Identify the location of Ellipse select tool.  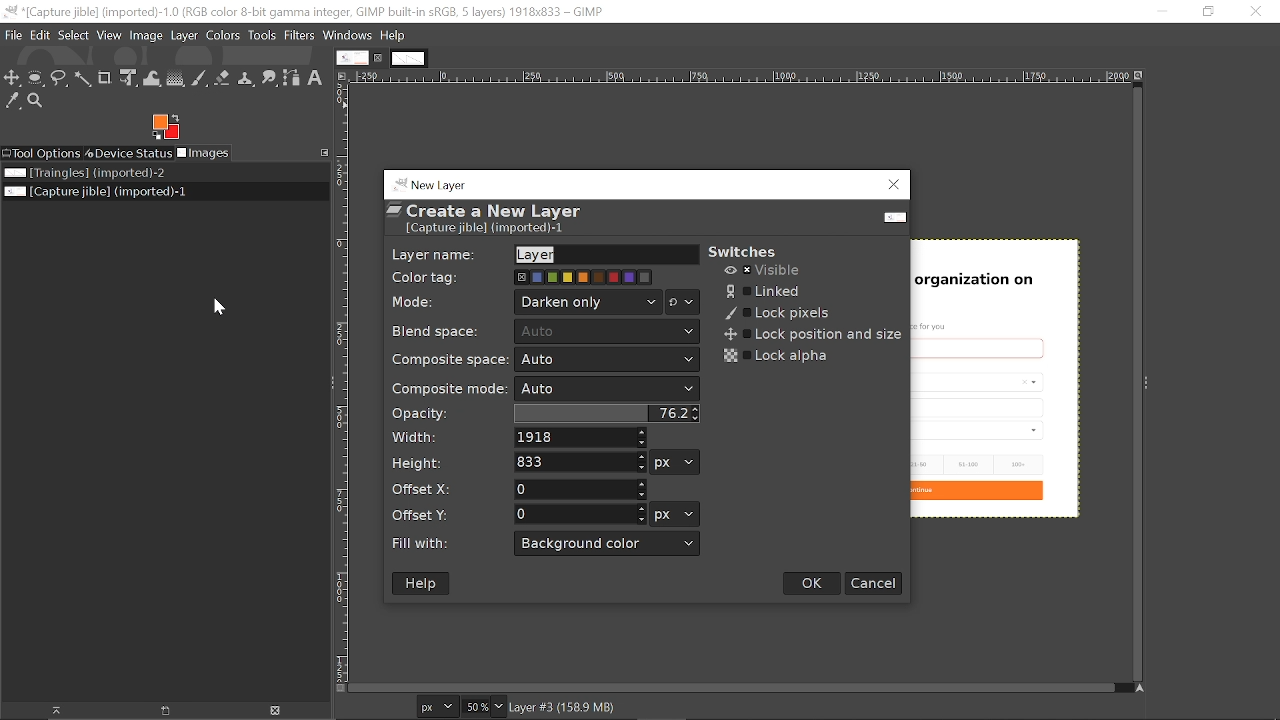
(36, 78).